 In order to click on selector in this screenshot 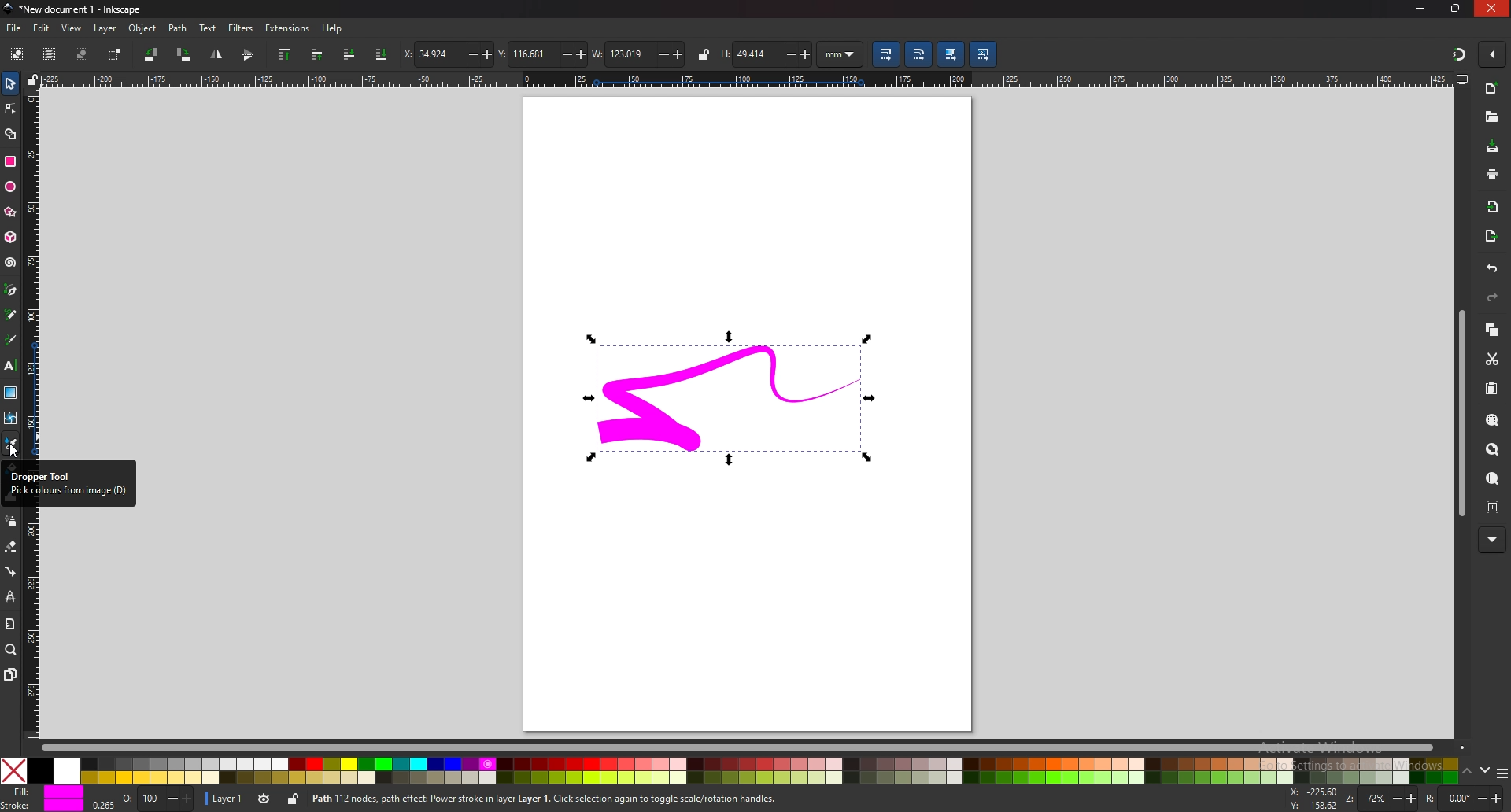, I will do `click(10, 83)`.